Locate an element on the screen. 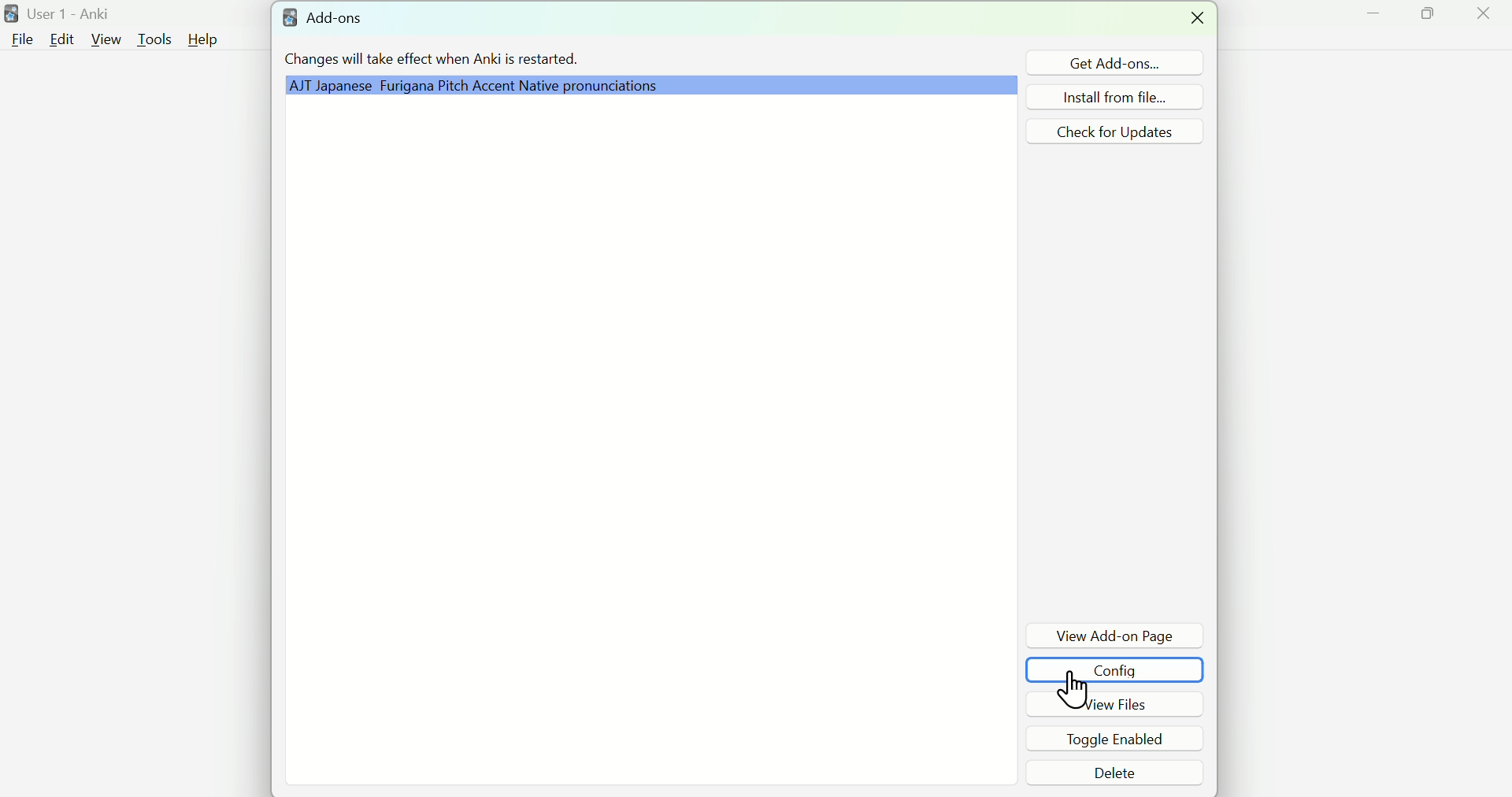  Close is located at coordinates (1486, 19).